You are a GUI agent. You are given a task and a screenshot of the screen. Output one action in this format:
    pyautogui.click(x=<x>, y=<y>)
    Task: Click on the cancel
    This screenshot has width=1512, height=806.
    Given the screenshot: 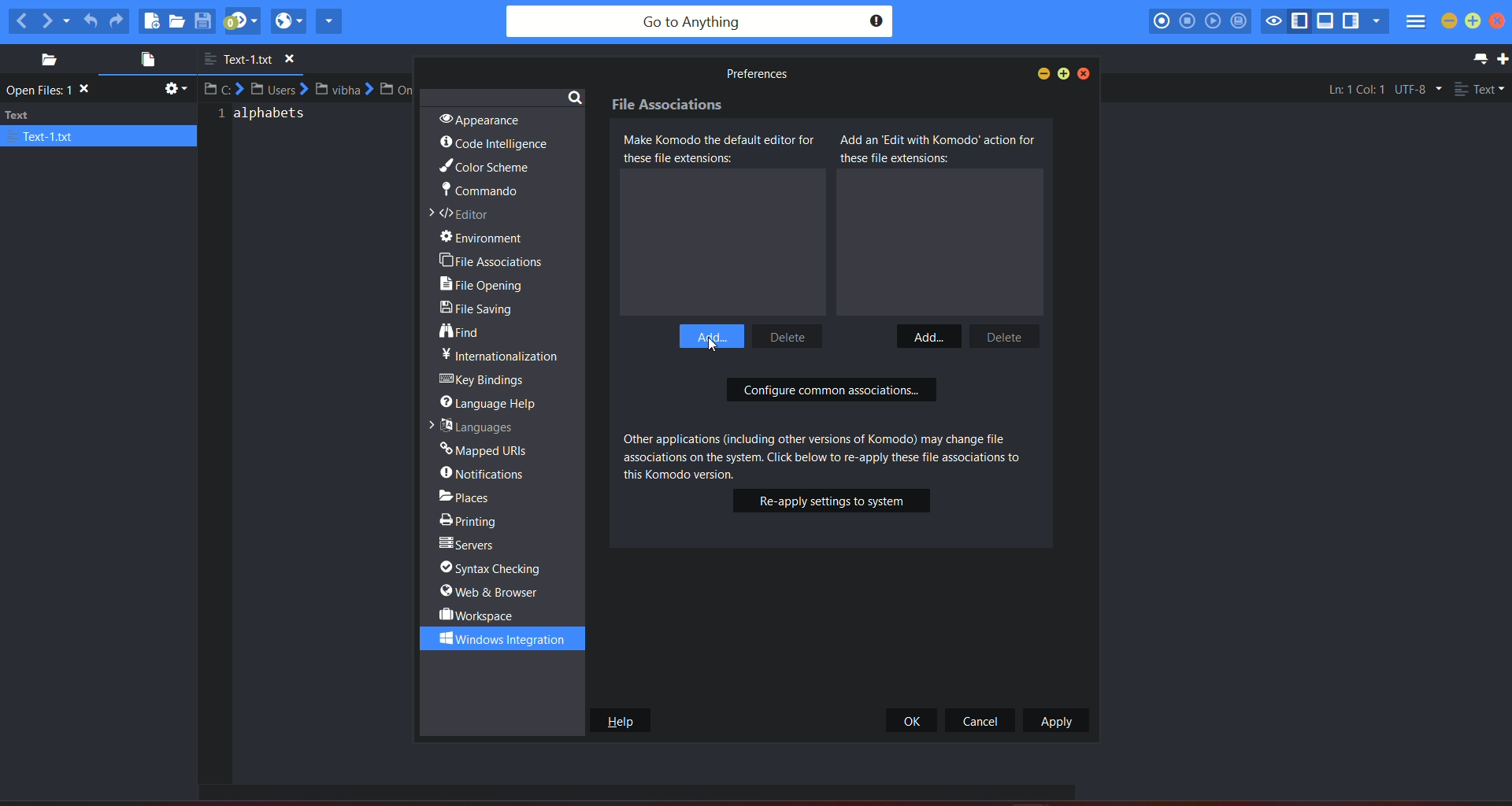 What is the action you would take?
    pyautogui.click(x=981, y=720)
    